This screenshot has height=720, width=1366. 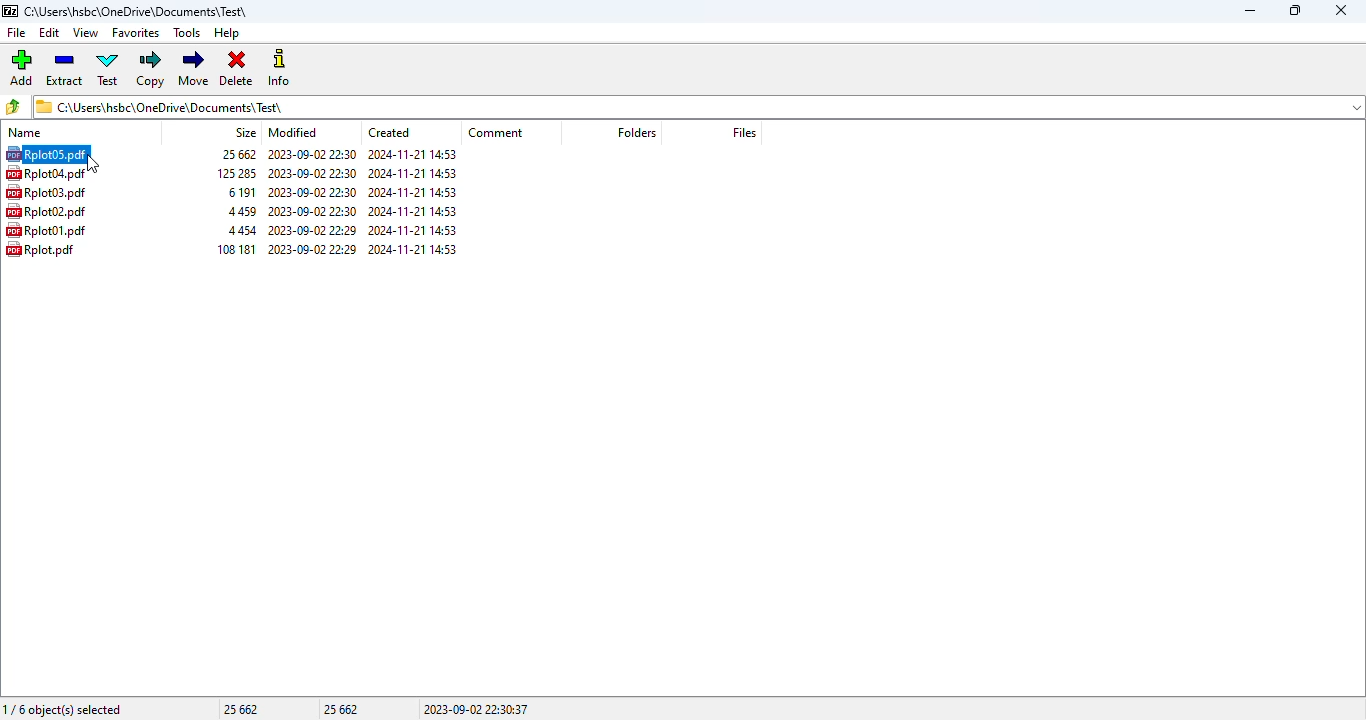 I want to click on info, so click(x=281, y=68).